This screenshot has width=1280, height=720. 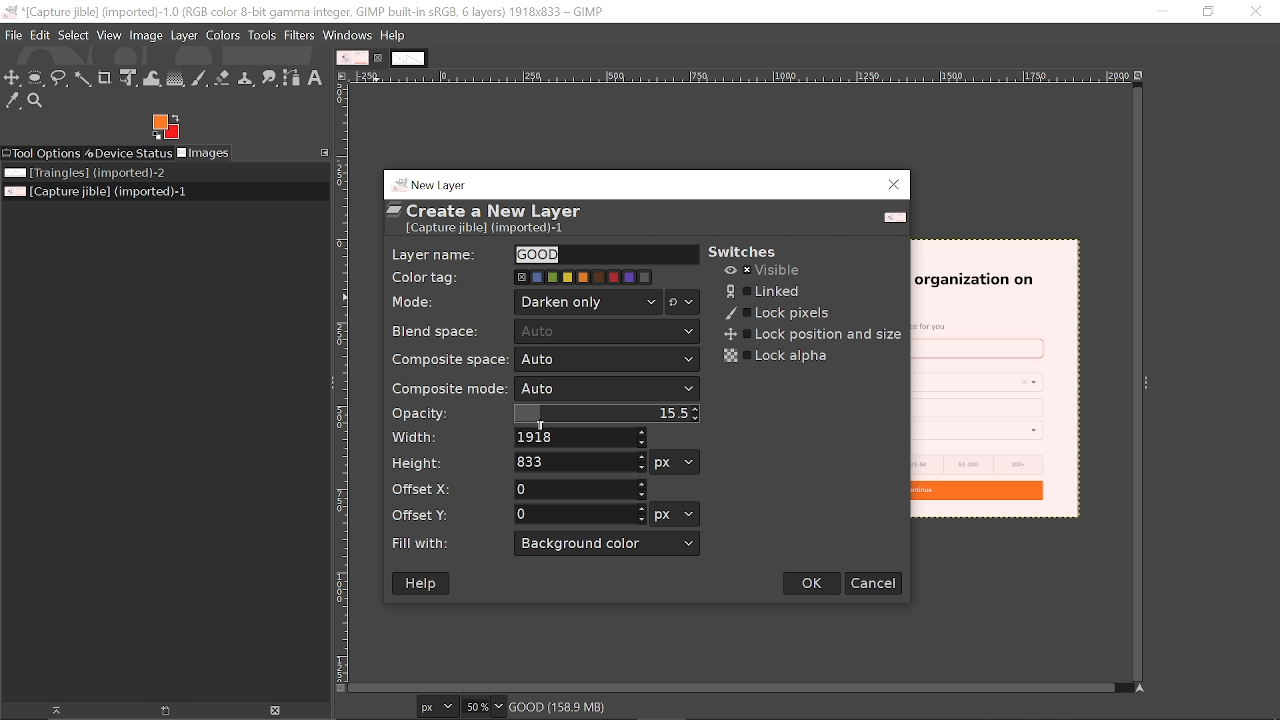 What do you see at coordinates (342, 76) in the screenshot?
I see `Access this image menu` at bounding box center [342, 76].